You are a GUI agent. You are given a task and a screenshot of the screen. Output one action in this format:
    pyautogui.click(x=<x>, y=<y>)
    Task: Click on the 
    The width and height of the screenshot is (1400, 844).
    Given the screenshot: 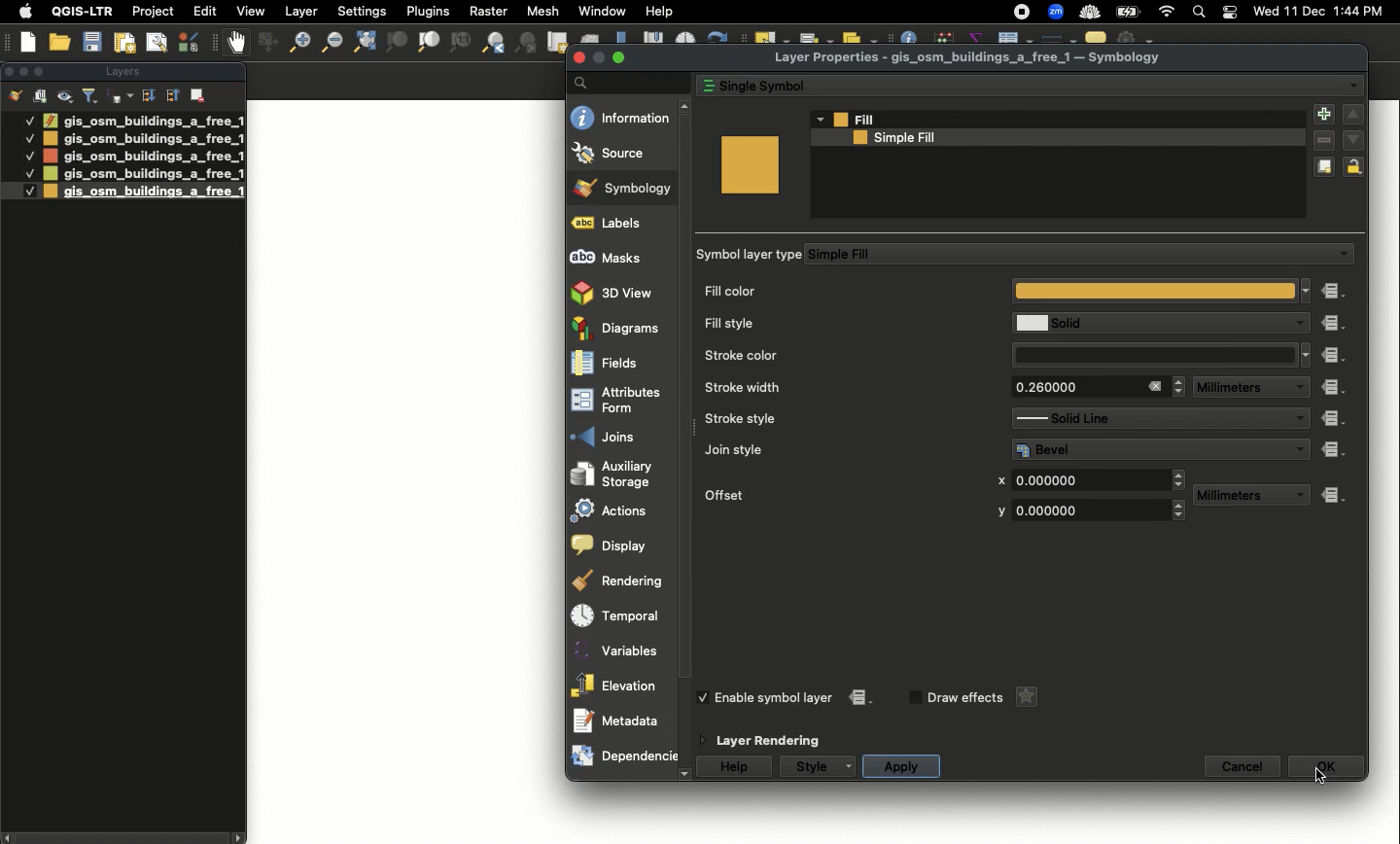 What is the action you would take?
    pyautogui.click(x=1334, y=419)
    